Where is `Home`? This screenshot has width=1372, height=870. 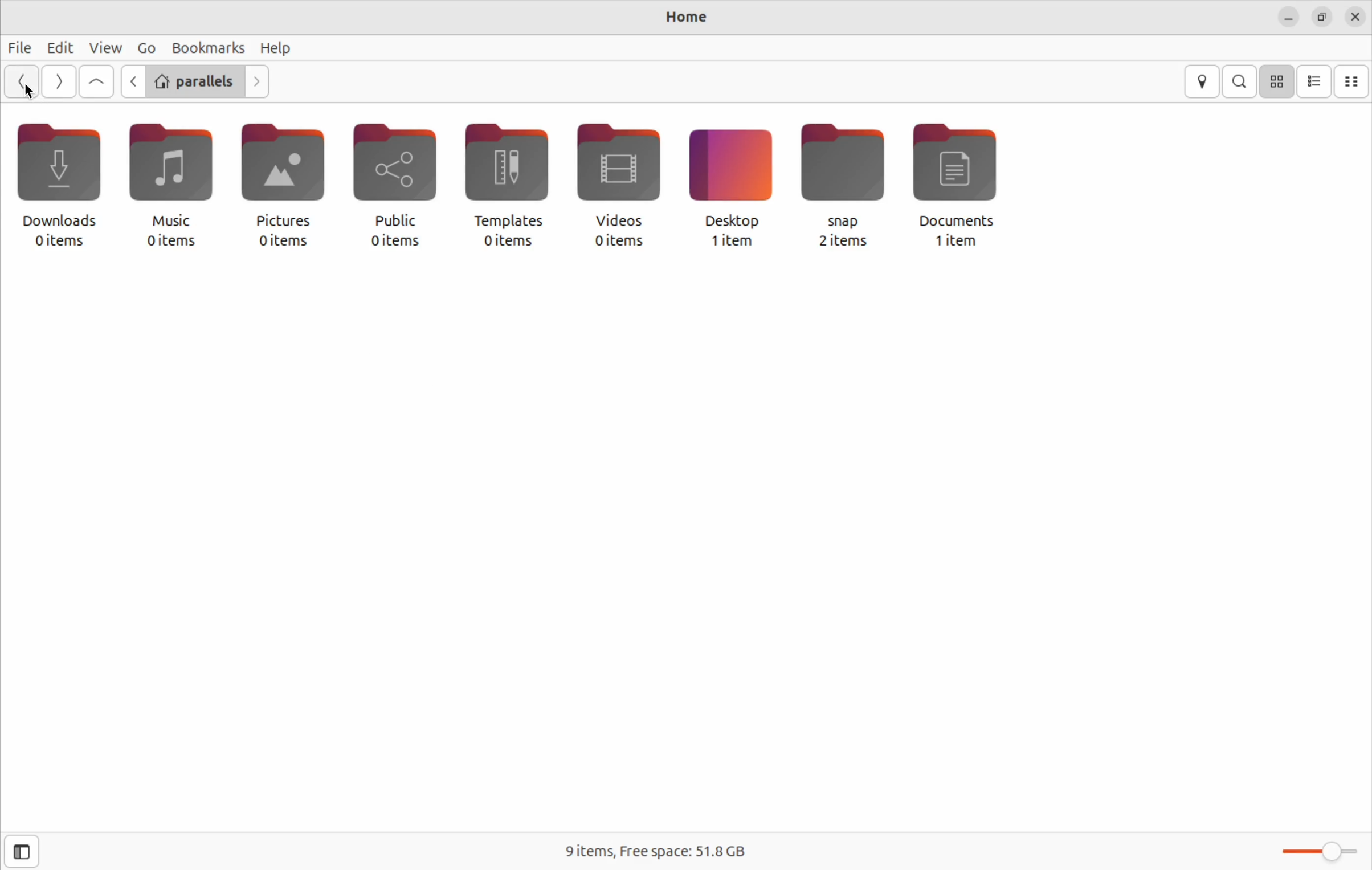 Home is located at coordinates (684, 17).